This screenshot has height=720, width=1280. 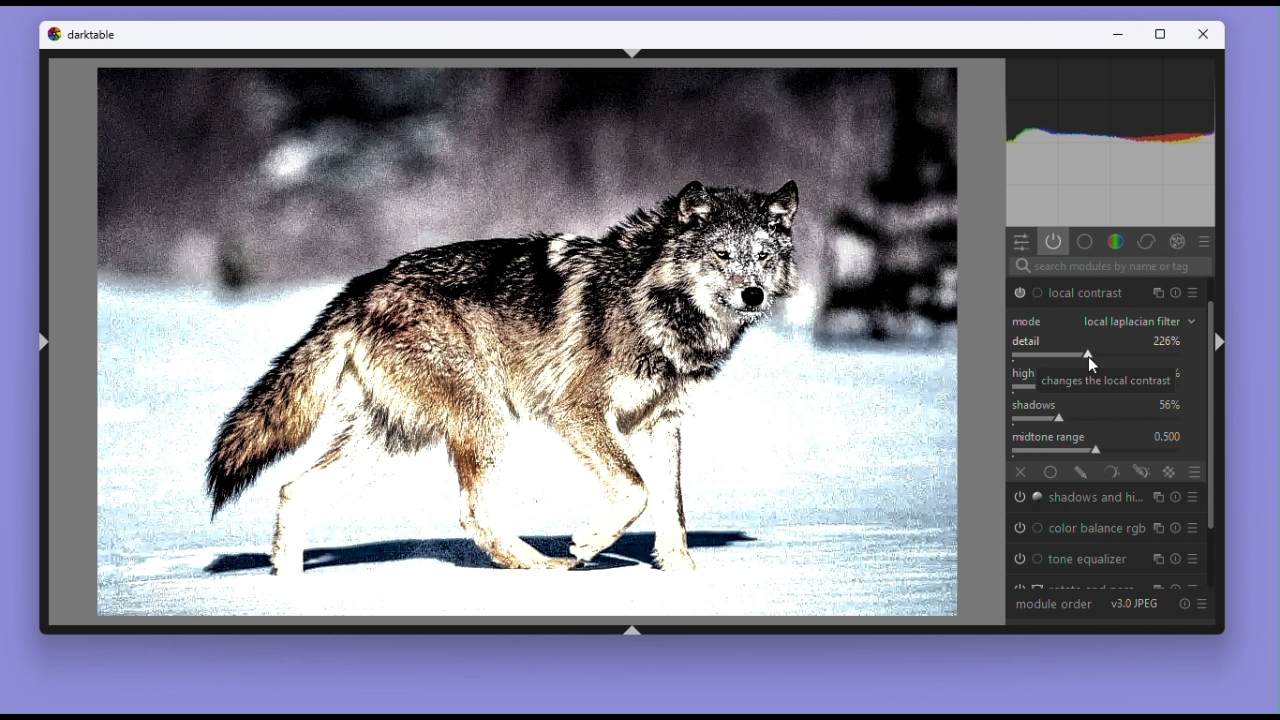 I want to click on Show active modules only, so click(x=1054, y=242).